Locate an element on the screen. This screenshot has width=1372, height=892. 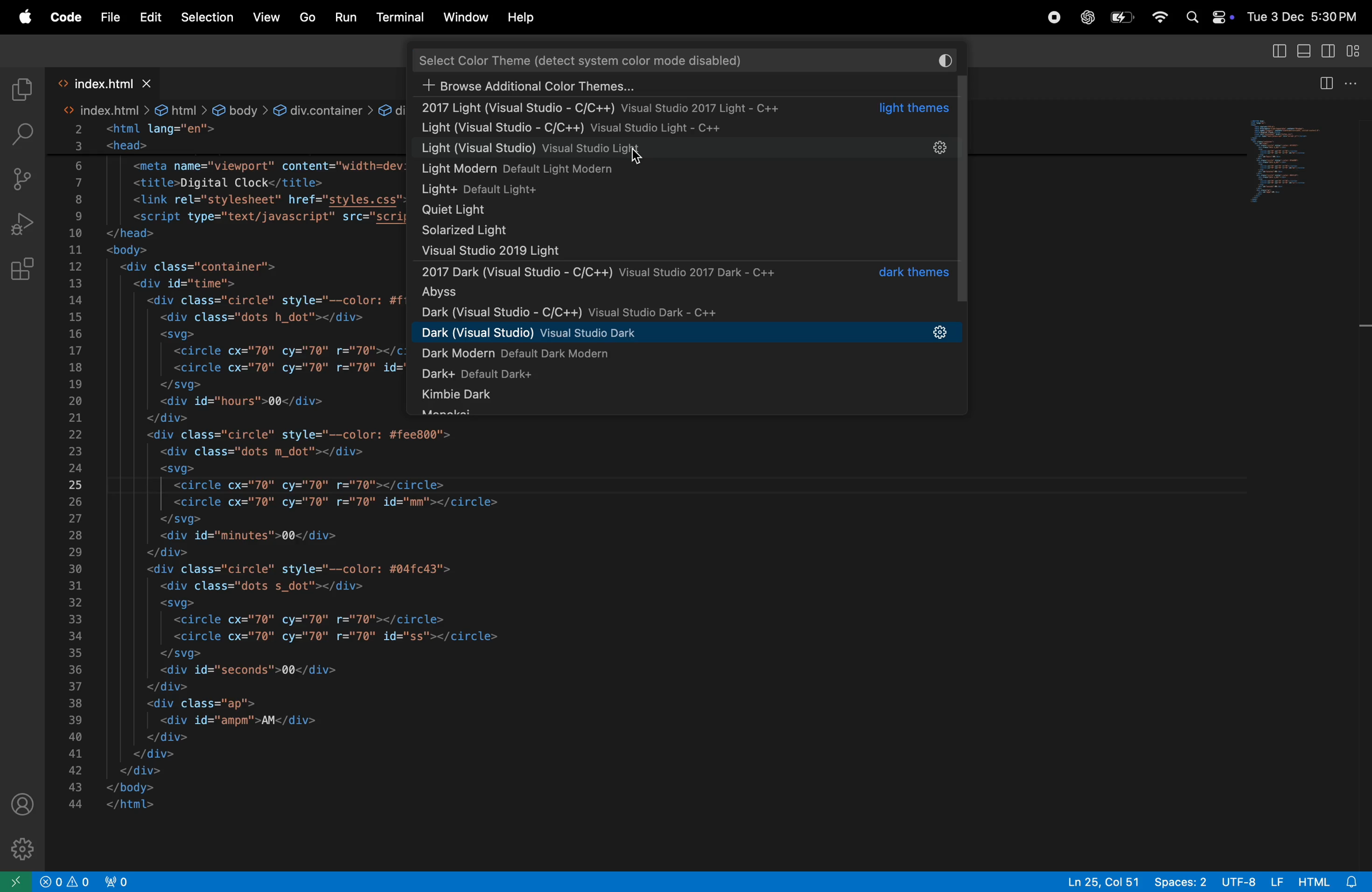
code is located at coordinates (65, 18).